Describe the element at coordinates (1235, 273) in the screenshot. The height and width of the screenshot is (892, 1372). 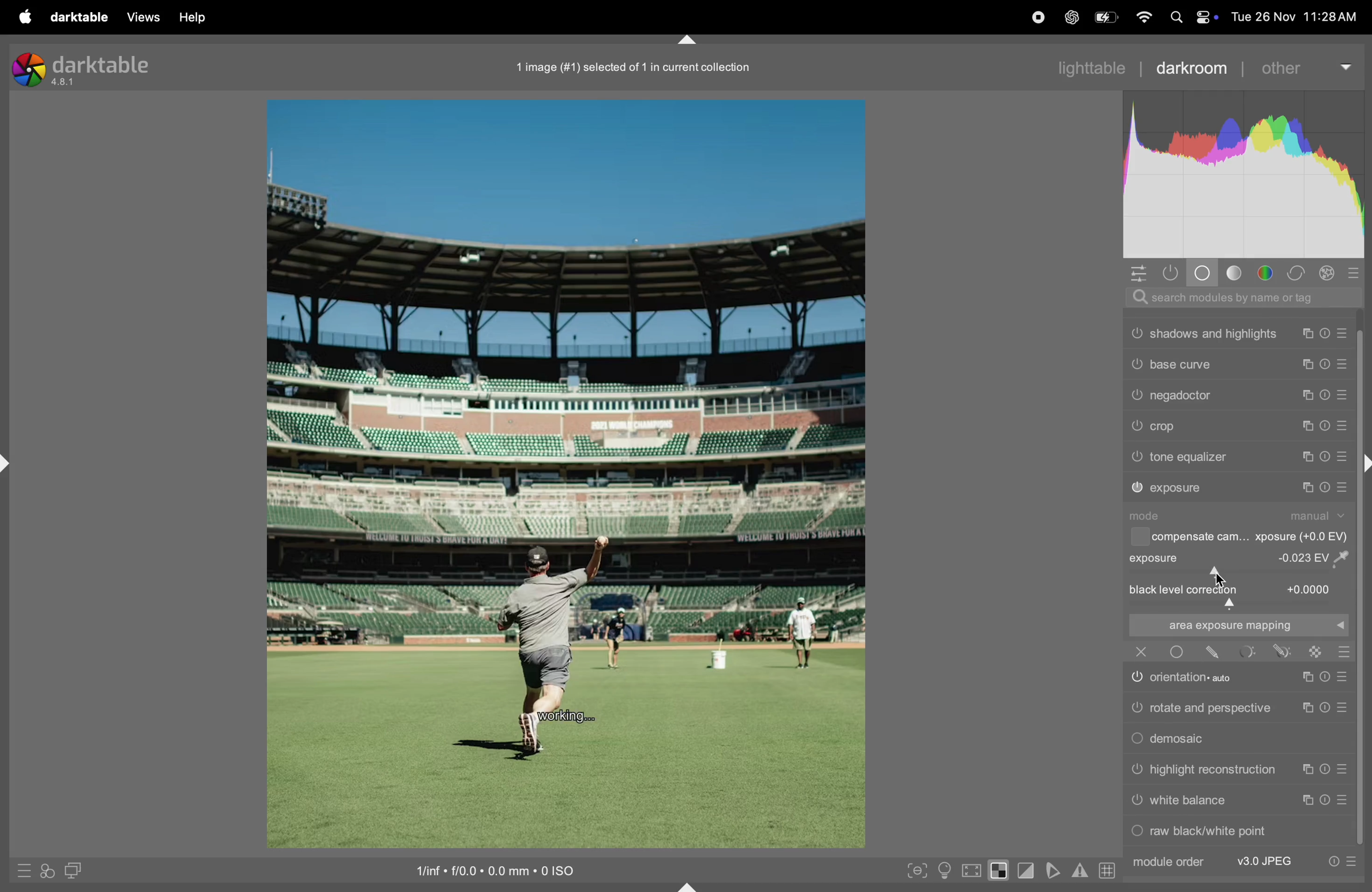
I see `tone` at that location.